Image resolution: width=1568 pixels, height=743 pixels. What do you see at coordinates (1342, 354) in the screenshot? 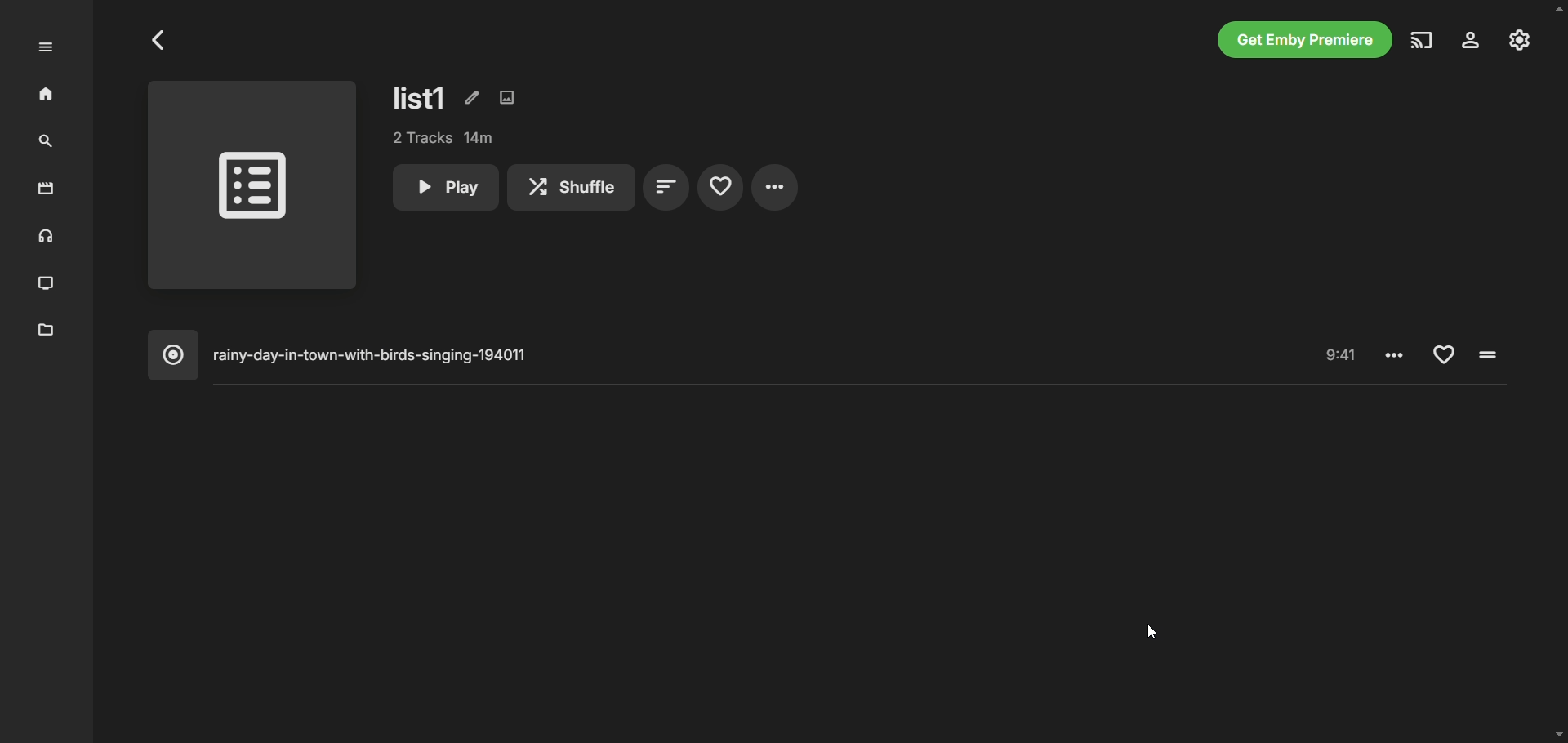
I see `Time` at bounding box center [1342, 354].